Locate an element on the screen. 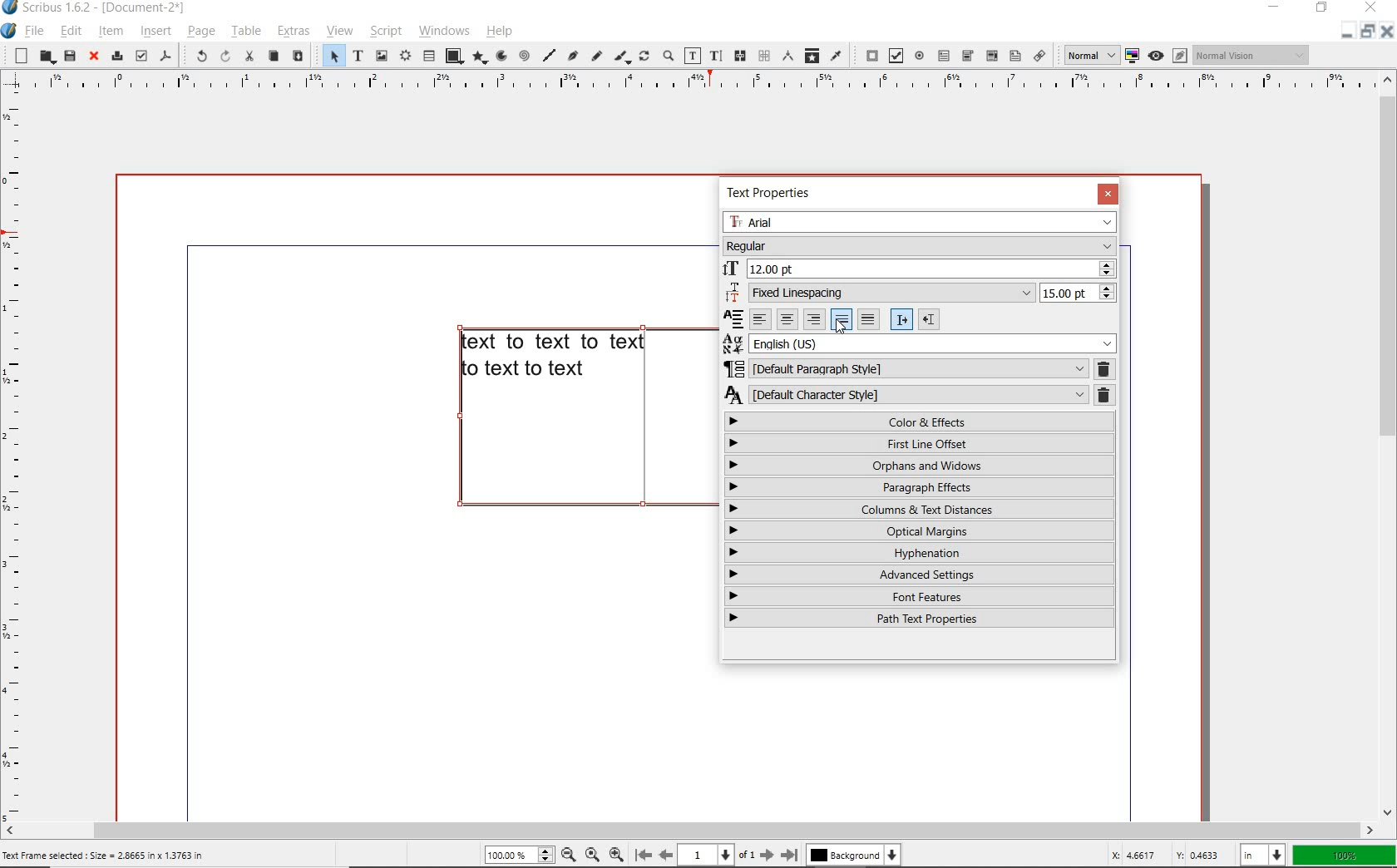 The width and height of the screenshot is (1397, 868). Bezier curve is located at coordinates (573, 55).